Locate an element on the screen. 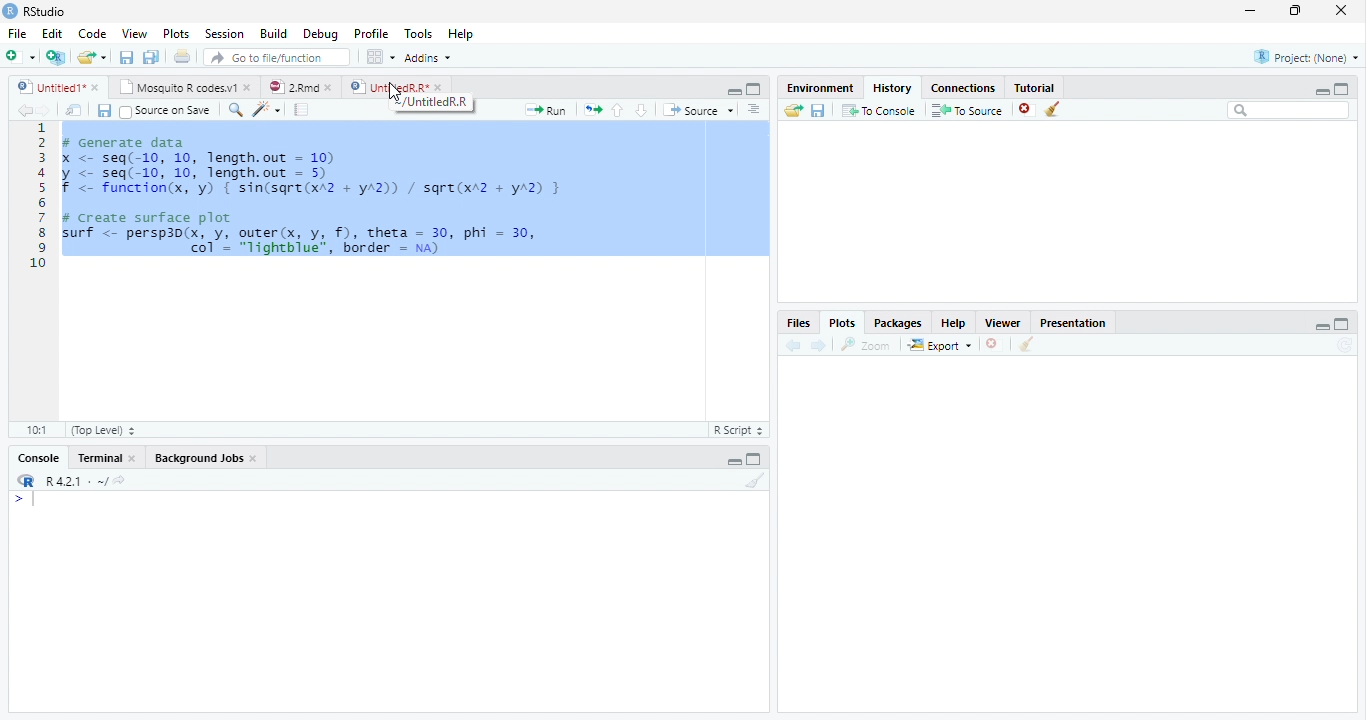  Terminal is located at coordinates (99, 458).